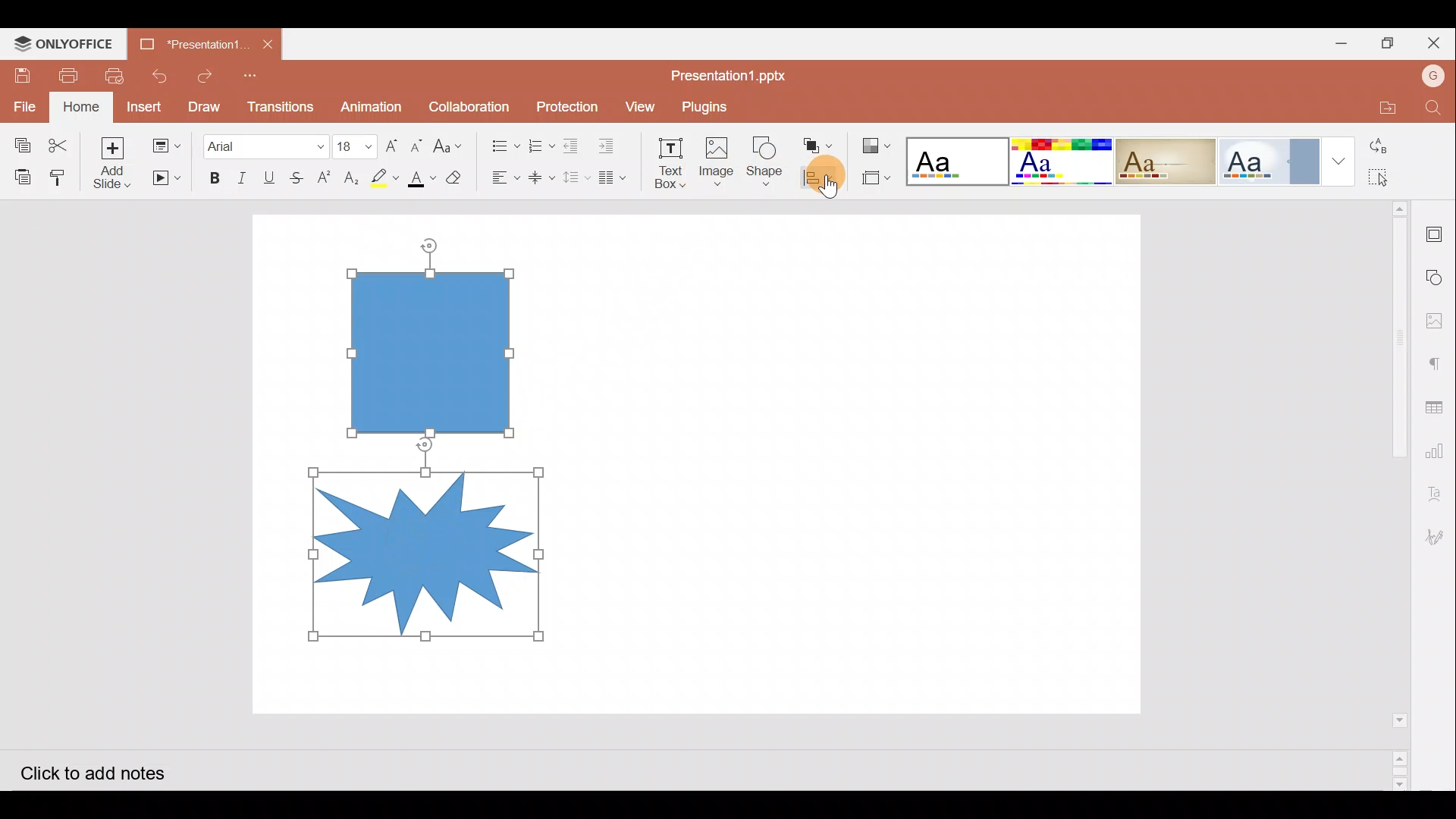 Image resolution: width=1456 pixels, height=819 pixels. What do you see at coordinates (1442, 454) in the screenshot?
I see `Chart settings` at bounding box center [1442, 454].